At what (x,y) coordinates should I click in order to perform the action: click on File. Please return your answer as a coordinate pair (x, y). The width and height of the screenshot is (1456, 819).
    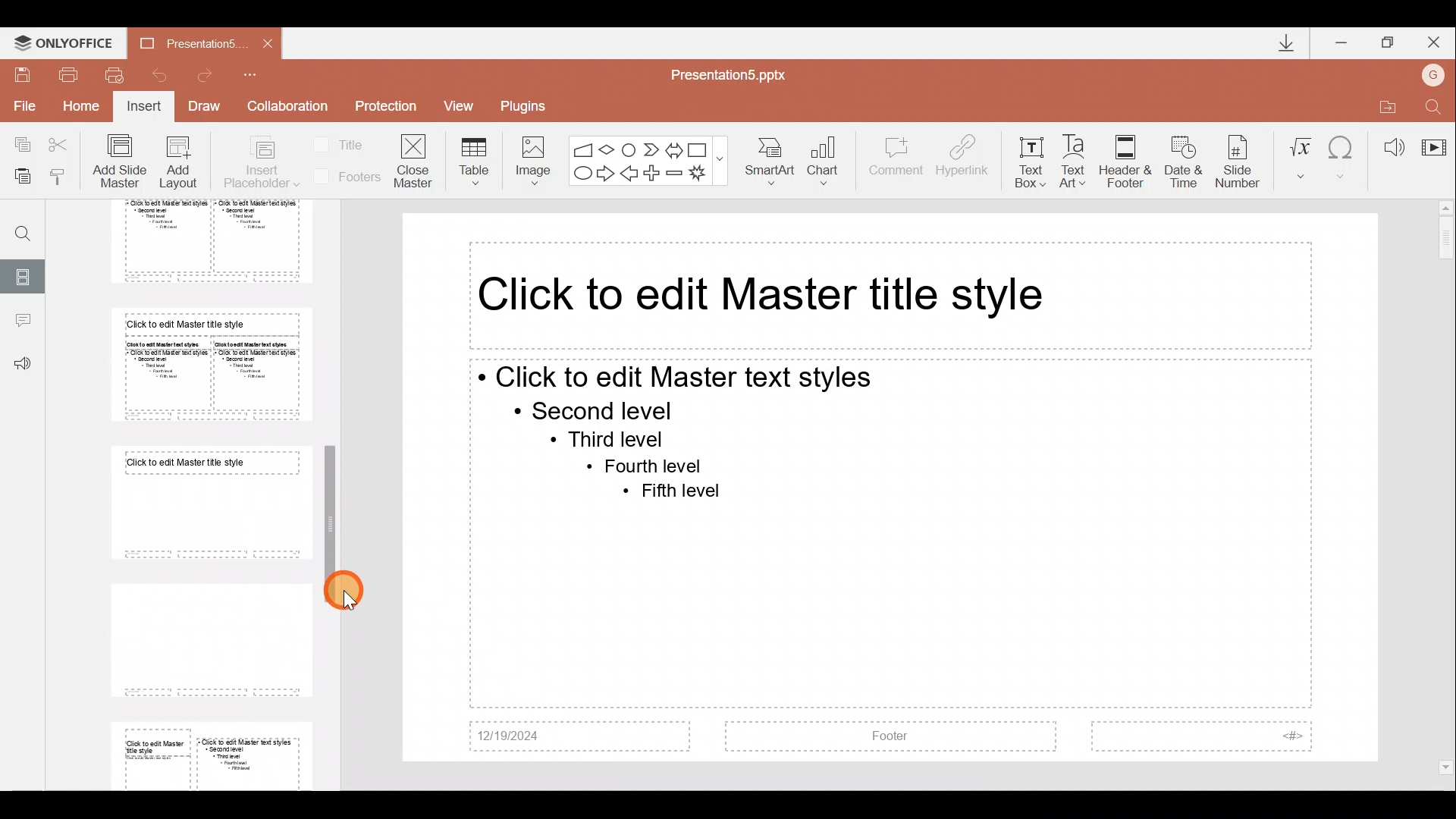
    Looking at the image, I should click on (22, 105).